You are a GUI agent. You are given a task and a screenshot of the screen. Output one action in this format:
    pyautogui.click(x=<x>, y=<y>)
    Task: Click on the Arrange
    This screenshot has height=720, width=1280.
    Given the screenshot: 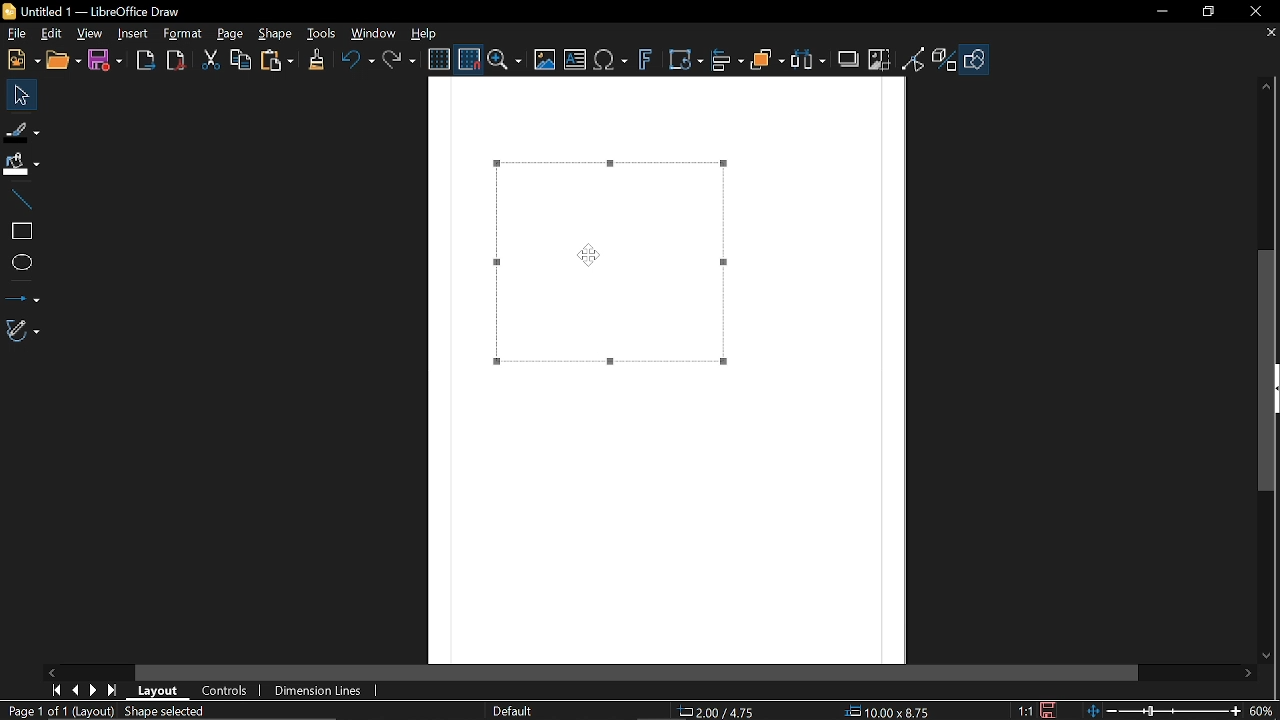 What is the action you would take?
    pyautogui.click(x=768, y=60)
    